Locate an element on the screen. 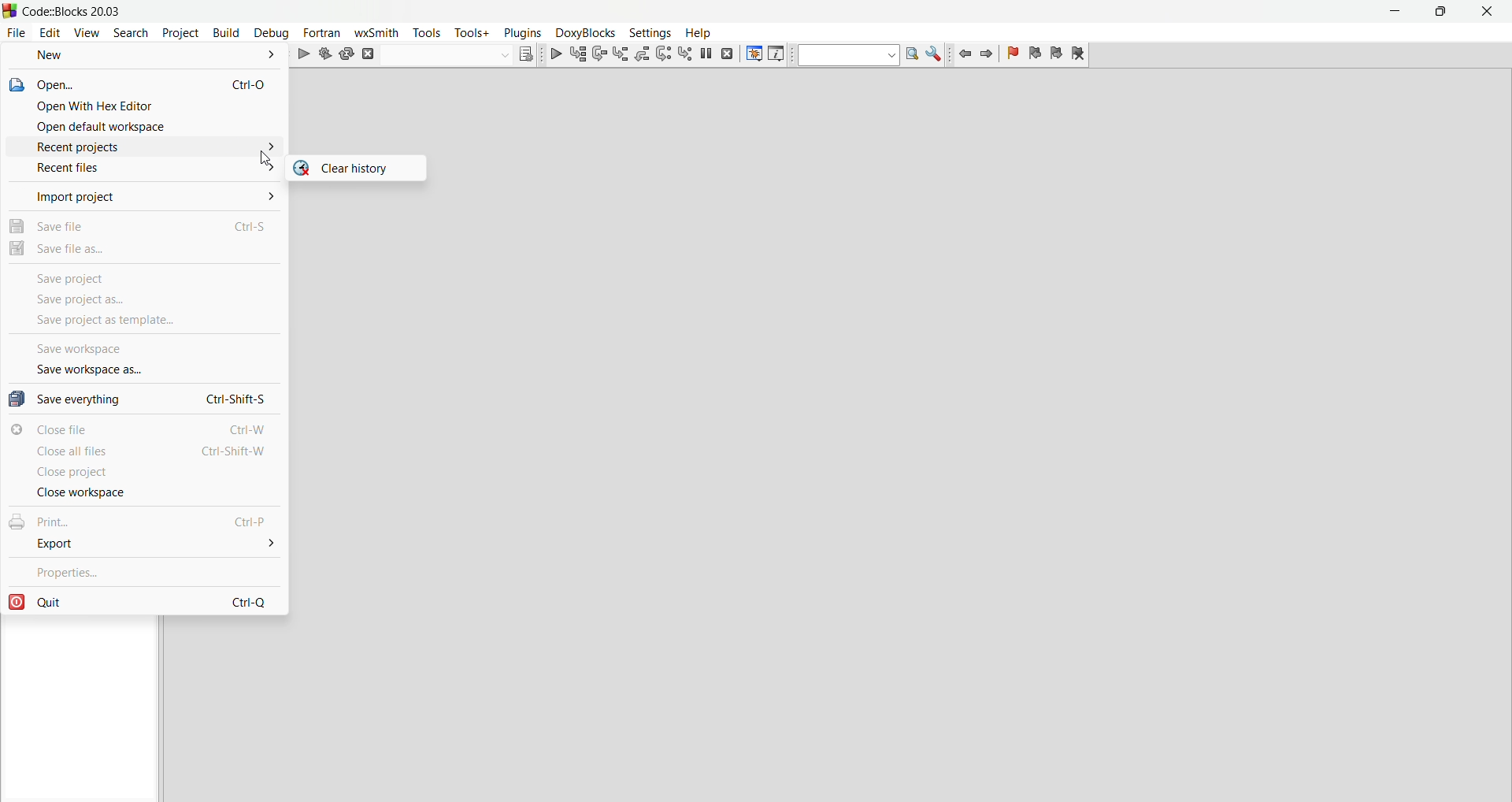 This screenshot has height=802, width=1512. next line is located at coordinates (600, 55).